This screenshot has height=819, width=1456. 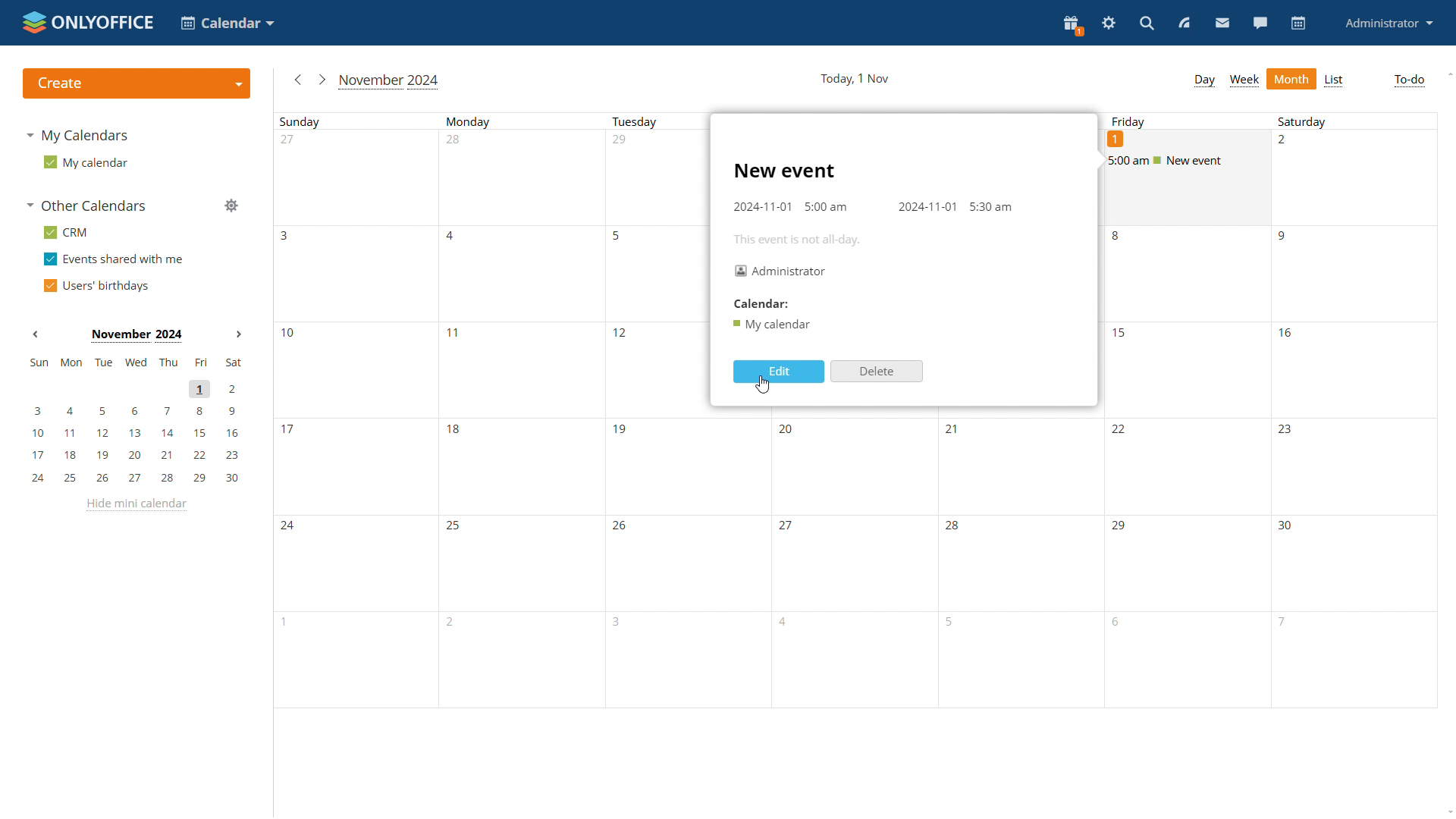 What do you see at coordinates (1298, 24) in the screenshot?
I see `calendar` at bounding box center [1298, 24].